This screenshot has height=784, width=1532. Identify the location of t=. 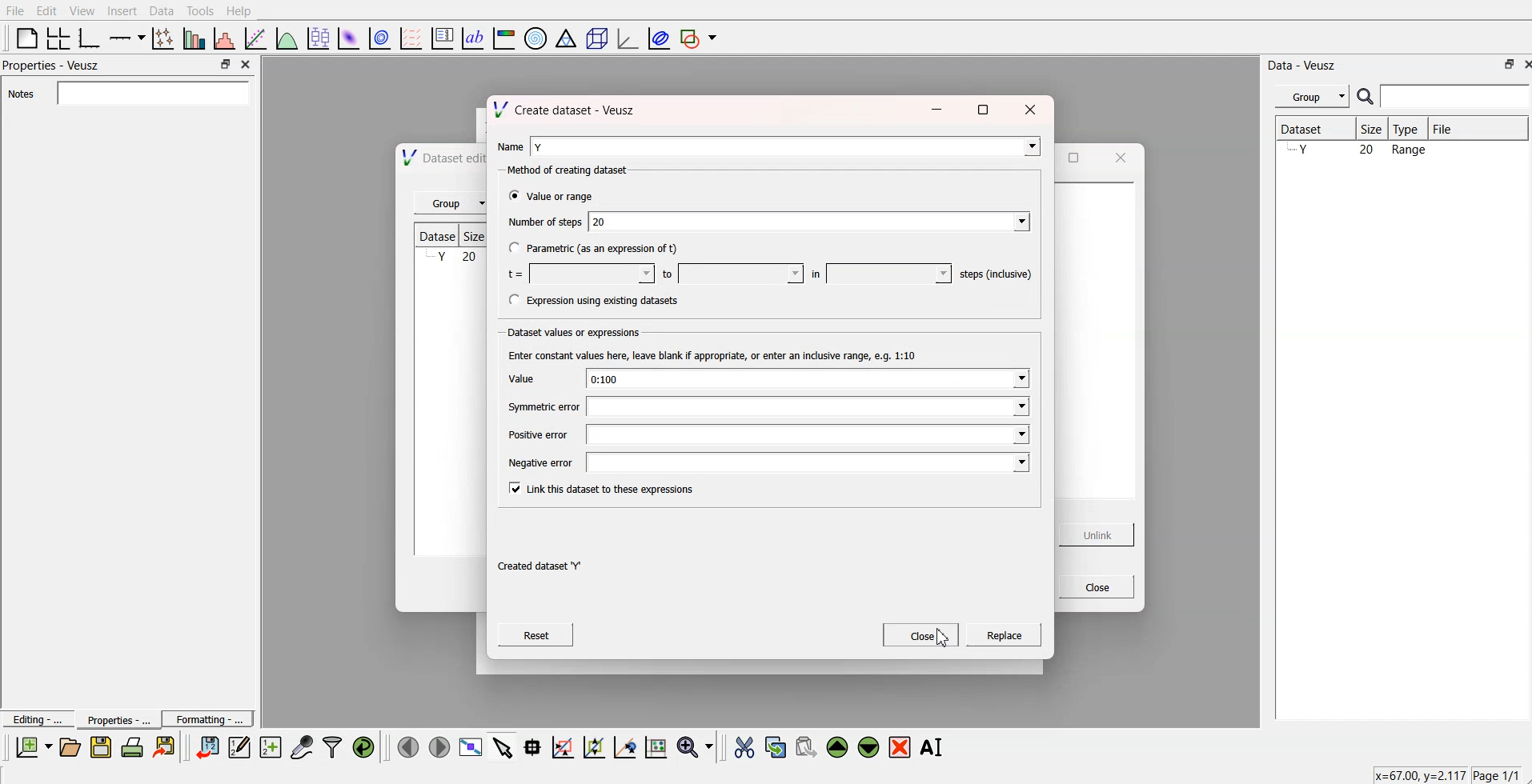
(576, 273).